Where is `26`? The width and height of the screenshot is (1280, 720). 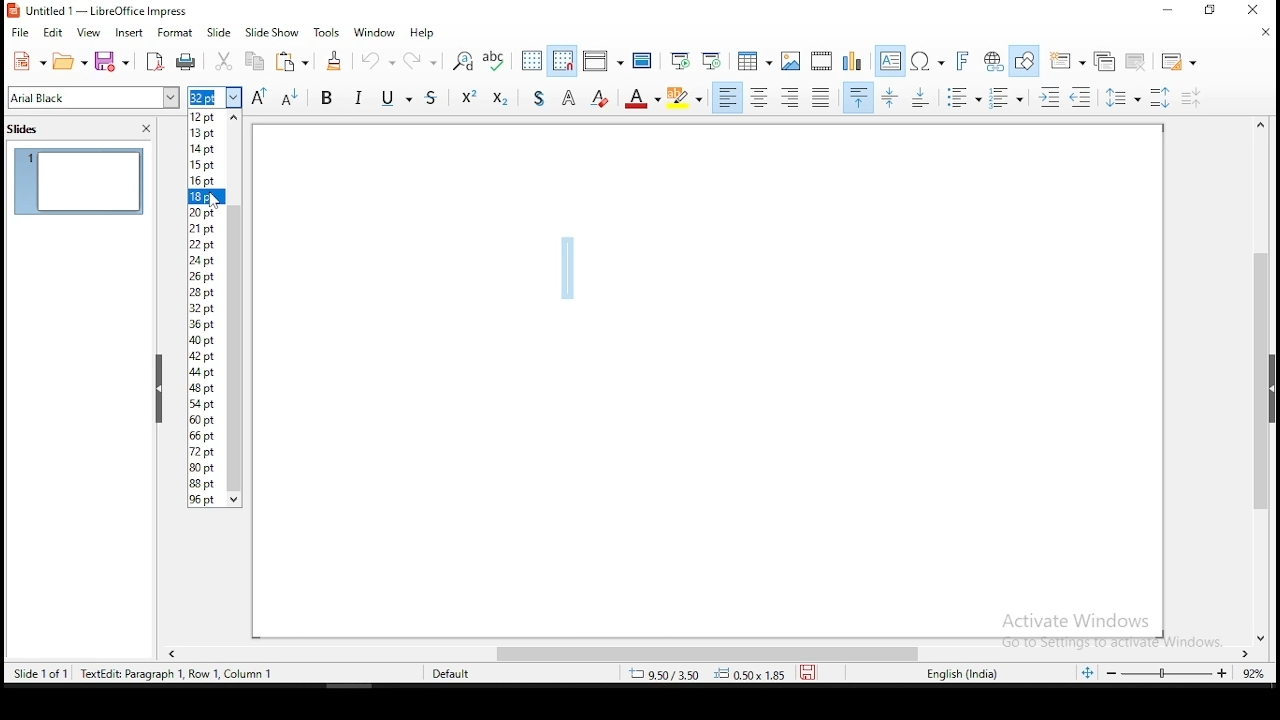
26 is located at coordinates (206, 276).